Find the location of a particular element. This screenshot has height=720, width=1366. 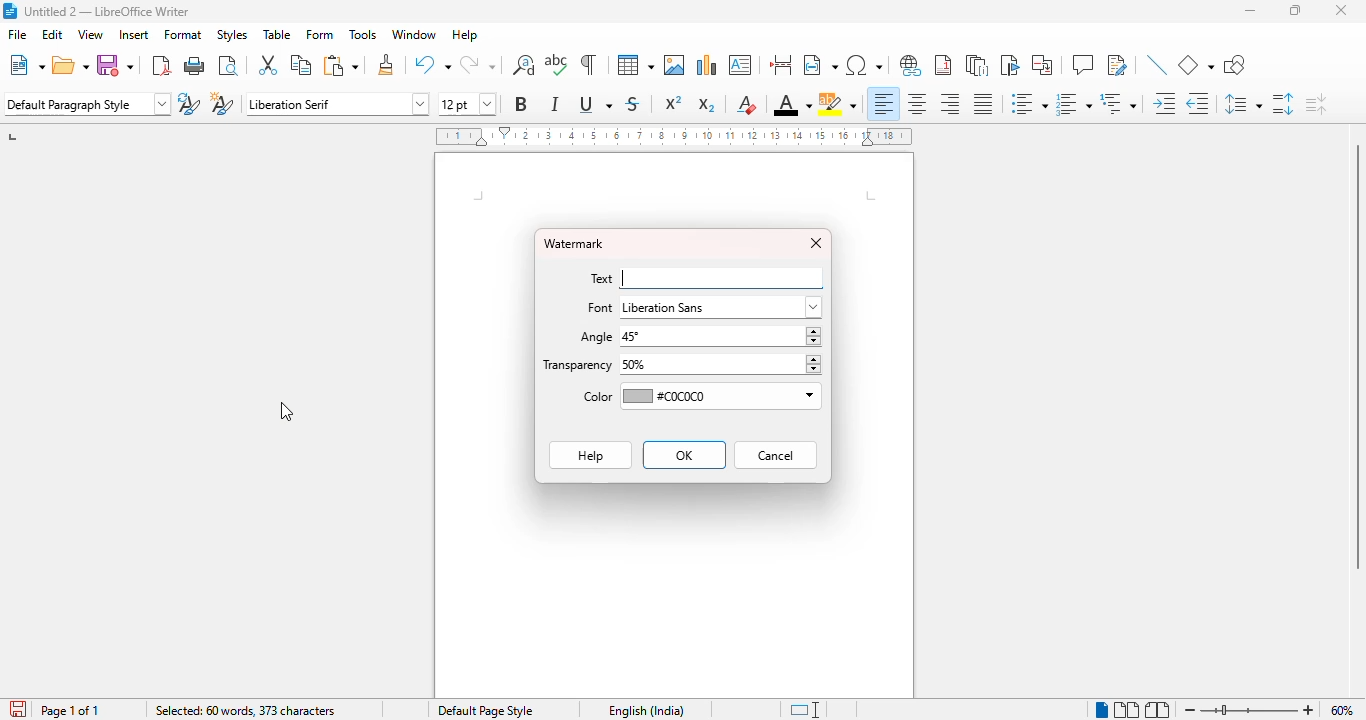

insert field is located at coordinates (820, 65).